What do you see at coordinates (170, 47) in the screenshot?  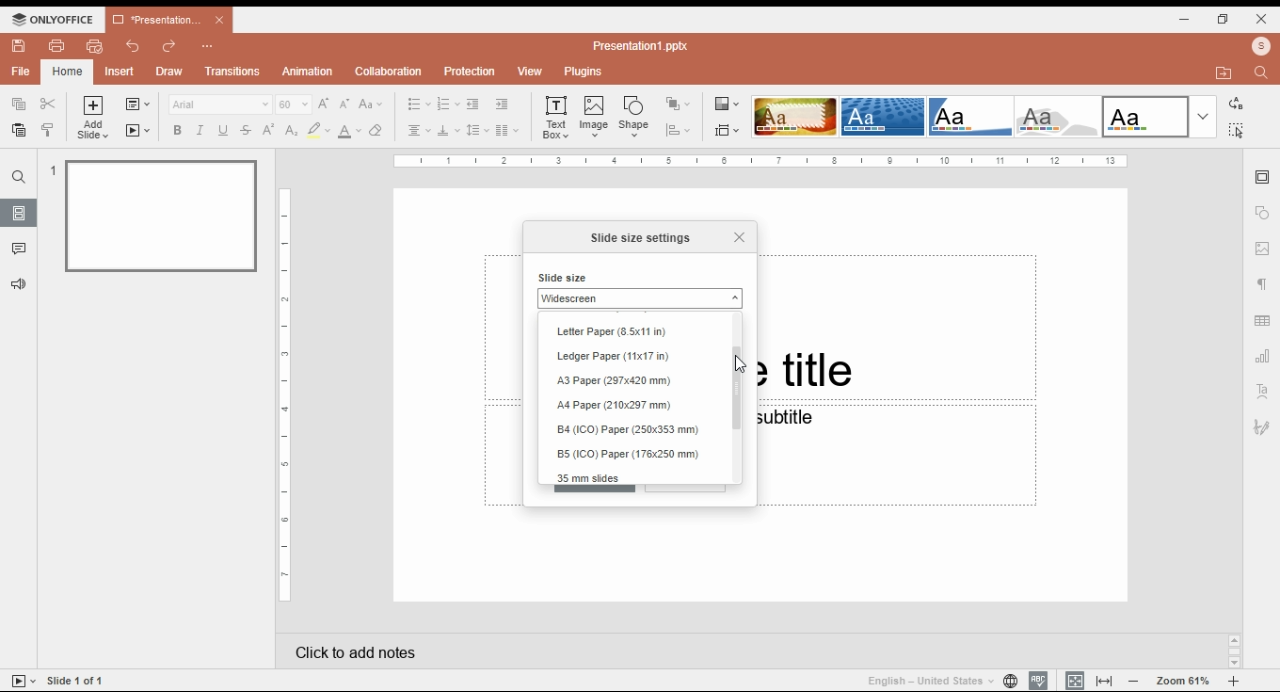 I see `redo` at bounding box center [170, 47].